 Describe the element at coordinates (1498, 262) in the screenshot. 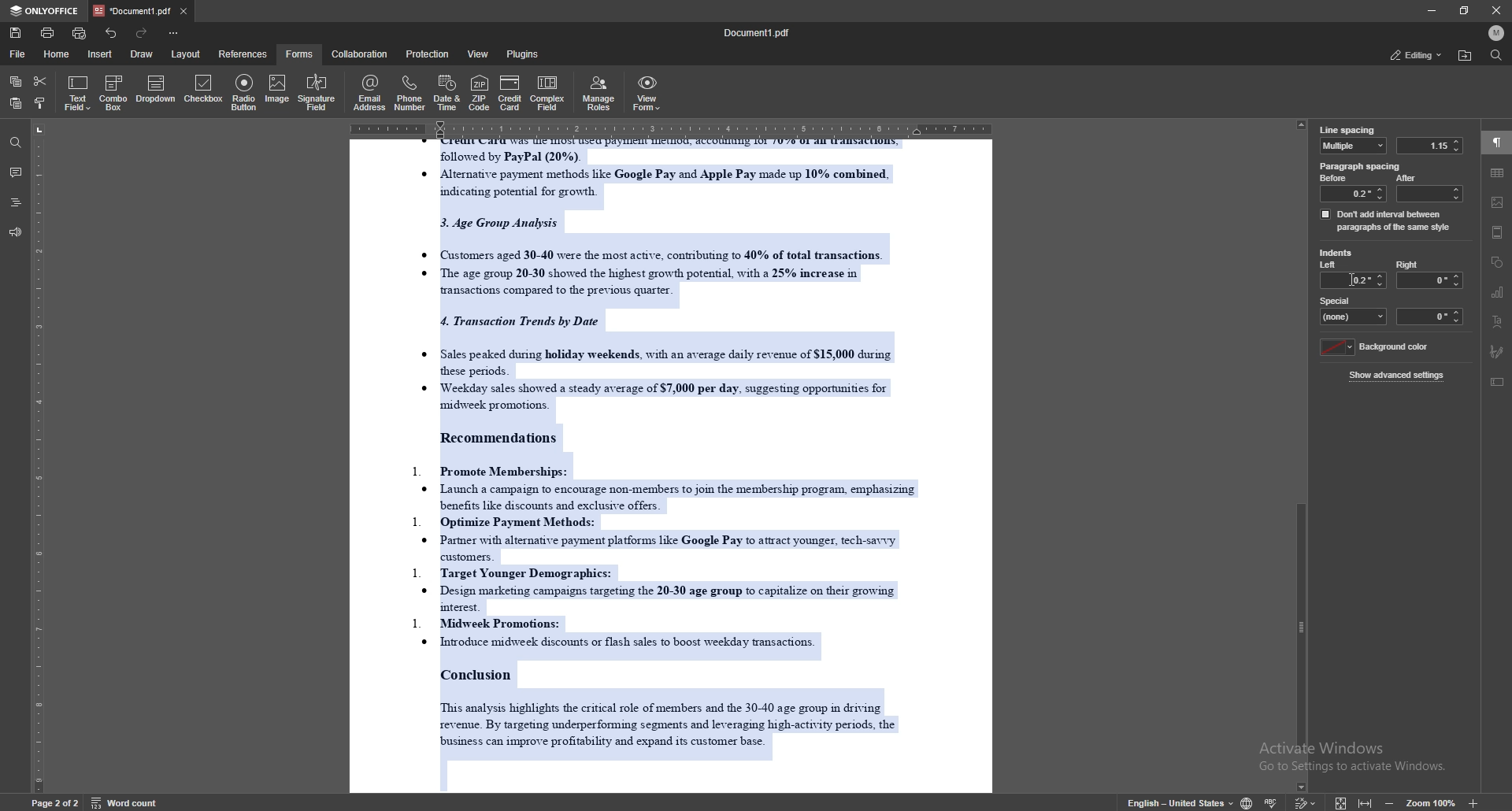

I see `shapes` at that location.